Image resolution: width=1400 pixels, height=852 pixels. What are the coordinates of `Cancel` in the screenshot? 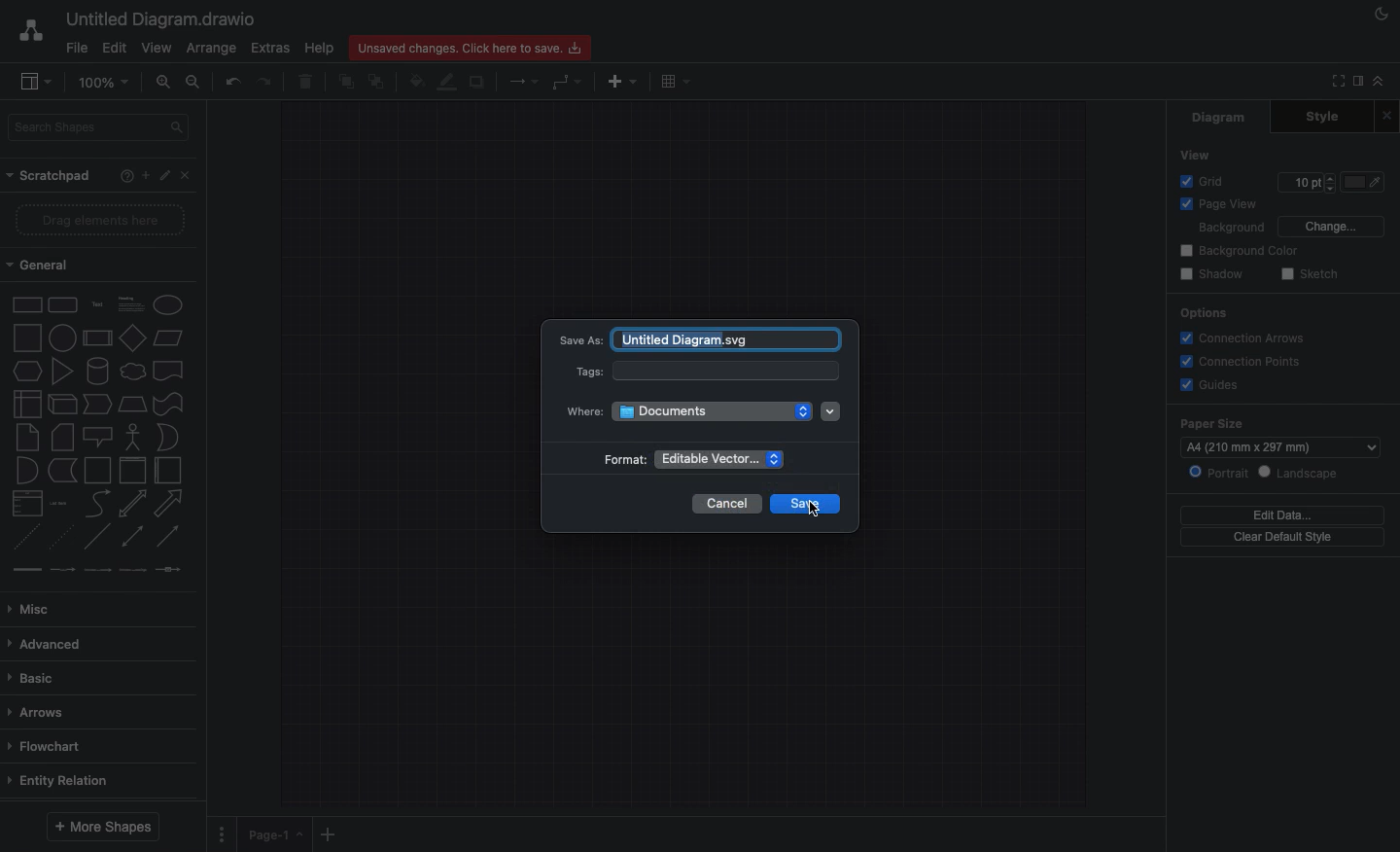 It's located at (727, 505).